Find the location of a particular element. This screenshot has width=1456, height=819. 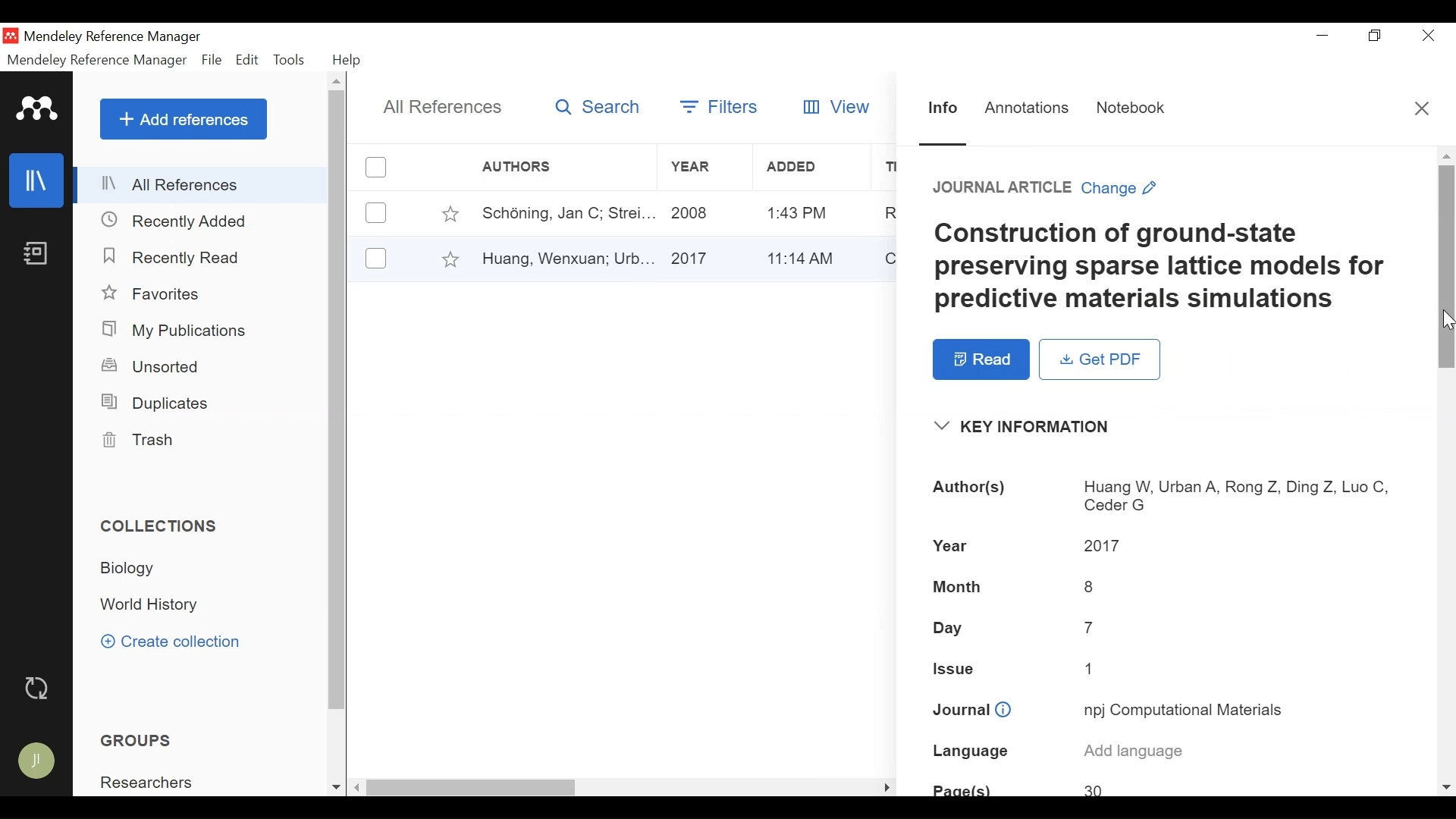

File is located at coordinates (212, 61).